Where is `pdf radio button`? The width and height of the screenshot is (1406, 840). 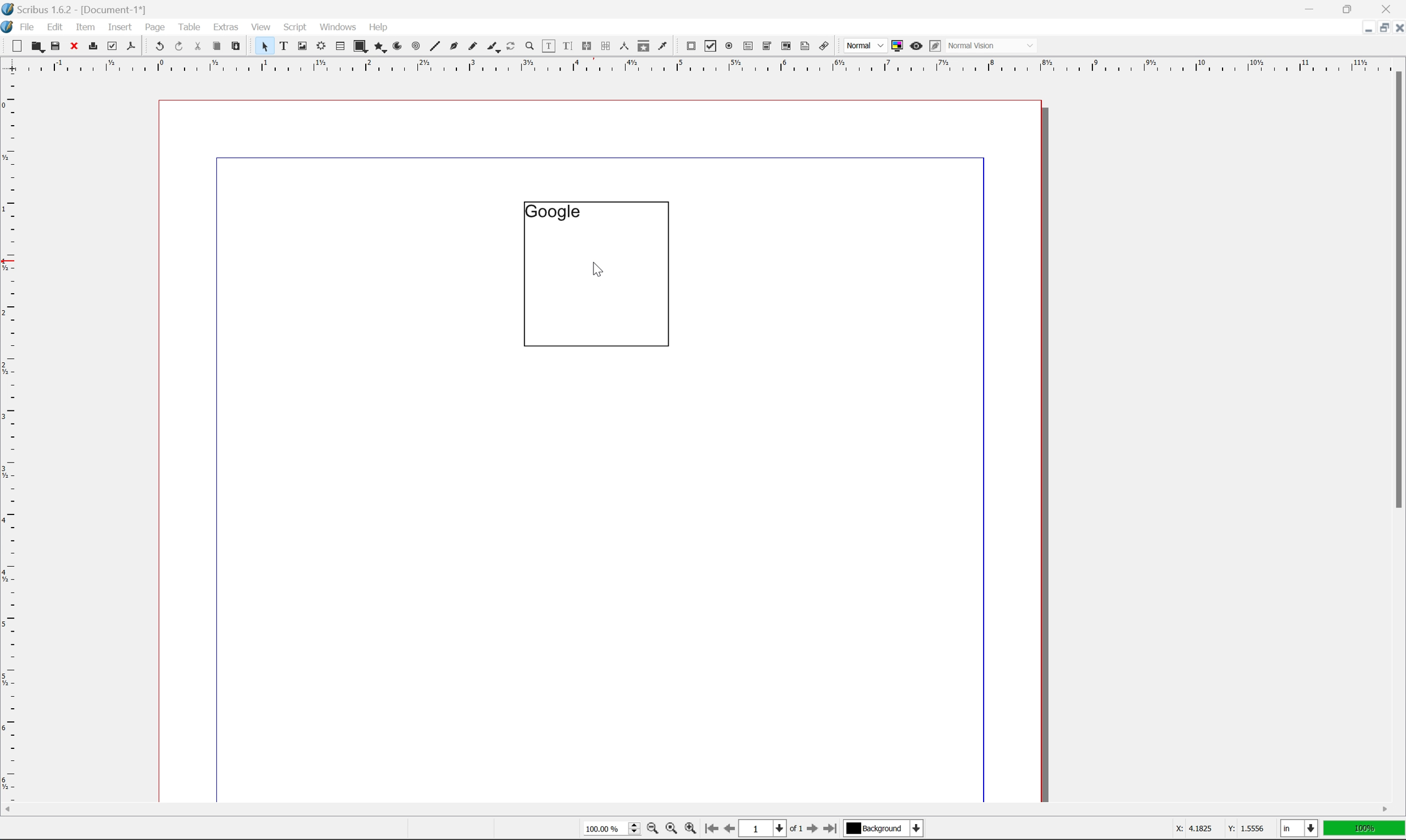 pdf radio button is located at coordinates (726, 46).